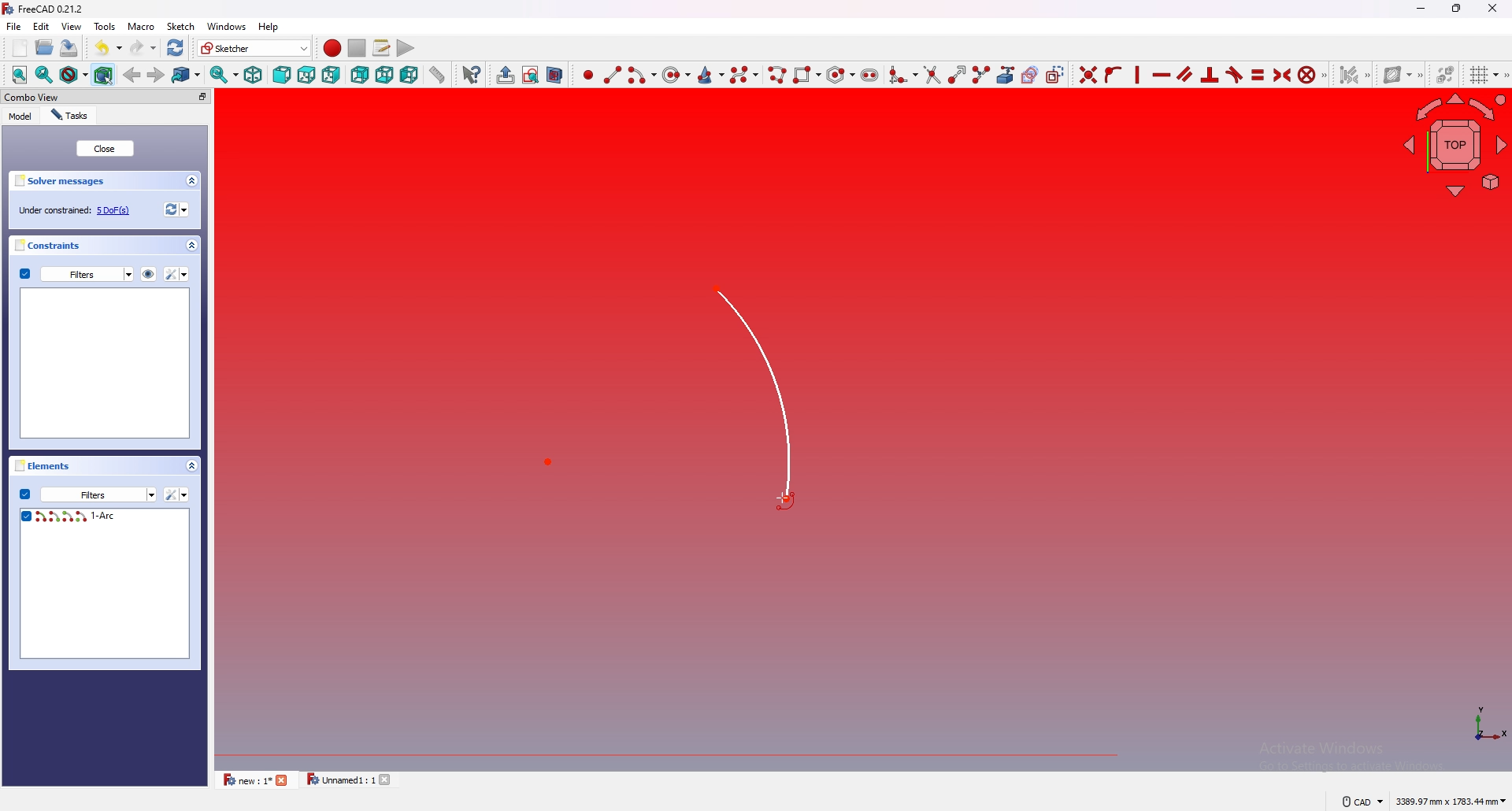 This screenshot has height=811, width=1512. What do you see at coordinates (1355, 73) in the screenshot?
I see `select associated constraints` at bounding box center [1355, 73].